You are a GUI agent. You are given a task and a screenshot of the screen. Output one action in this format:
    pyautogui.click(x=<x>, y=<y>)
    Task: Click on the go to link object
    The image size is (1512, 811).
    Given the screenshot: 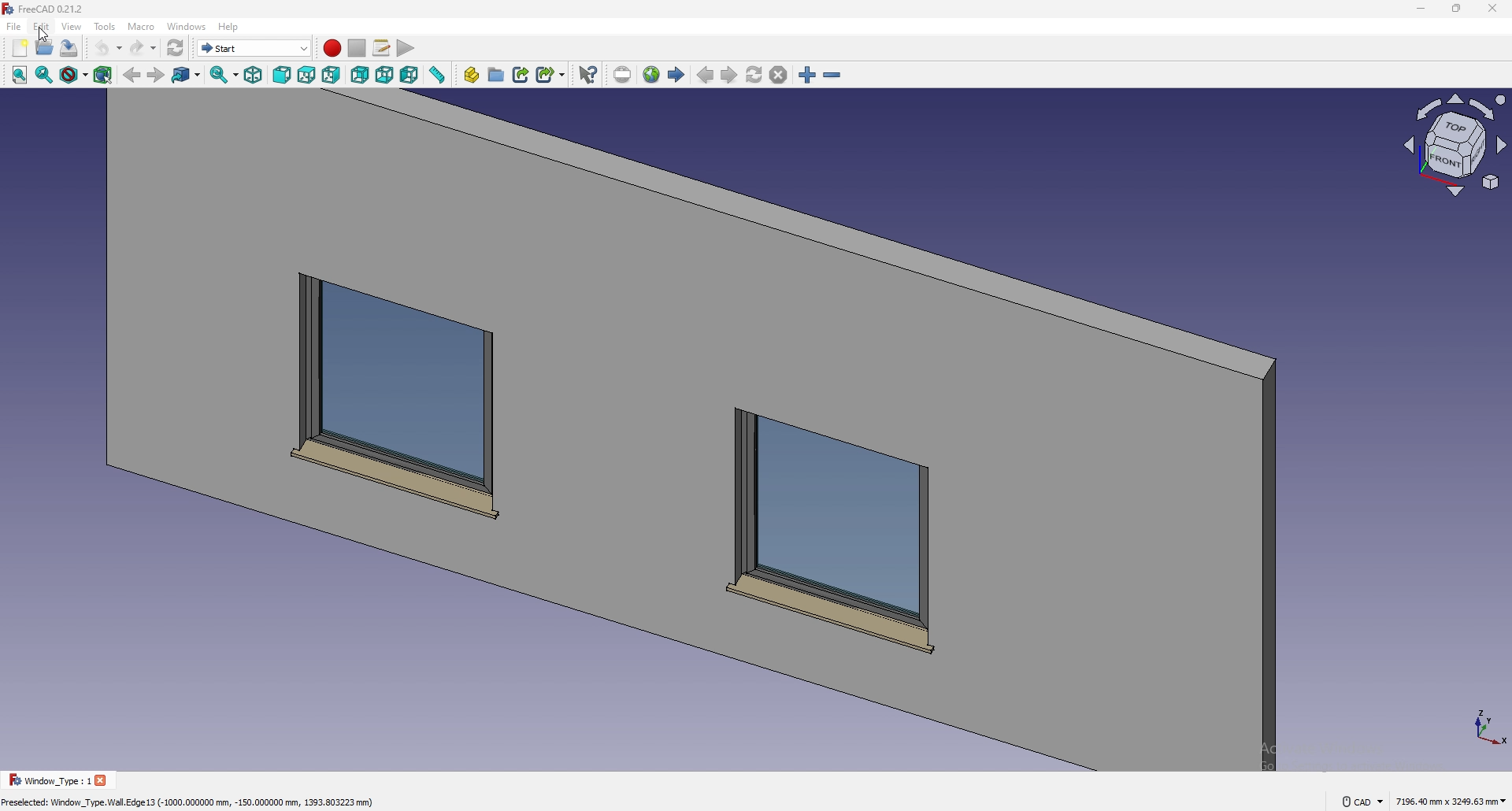 What is the action you would take?
    pyautogui.click(x=187, y=76)
    